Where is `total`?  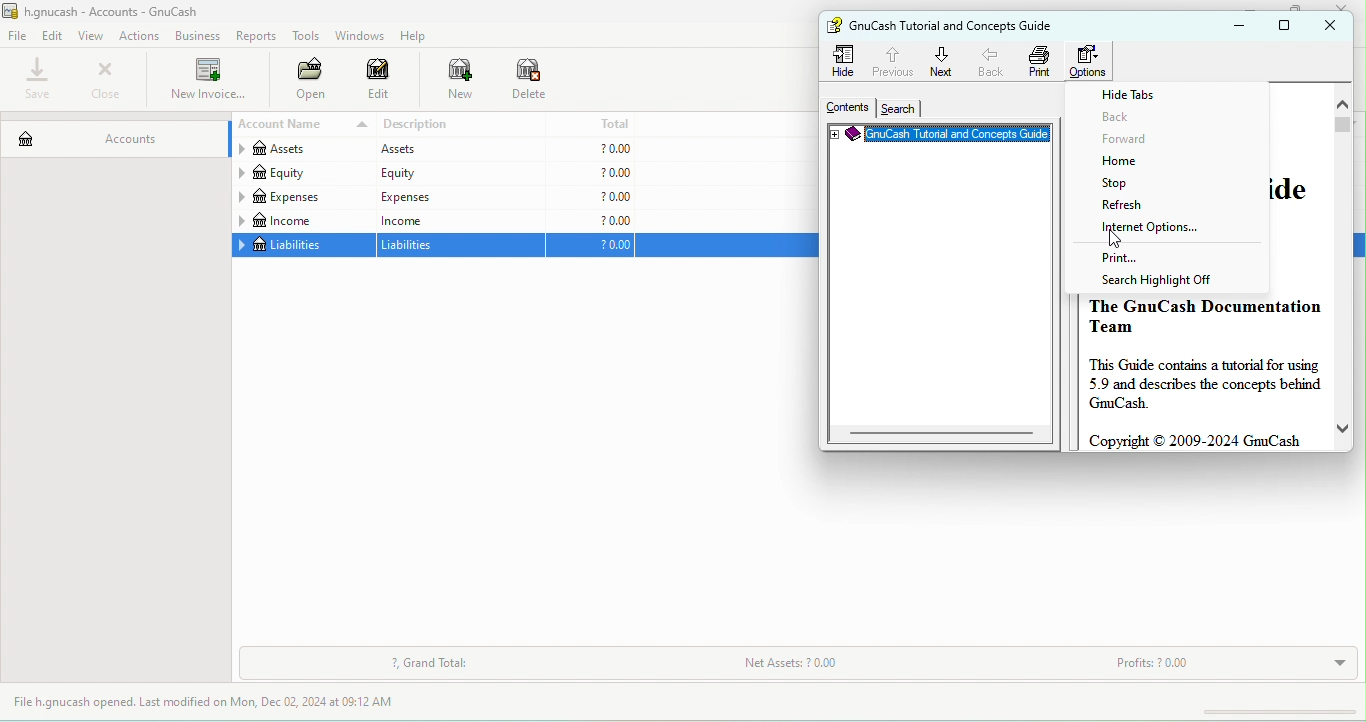 total is located at coordinates (592, 123).